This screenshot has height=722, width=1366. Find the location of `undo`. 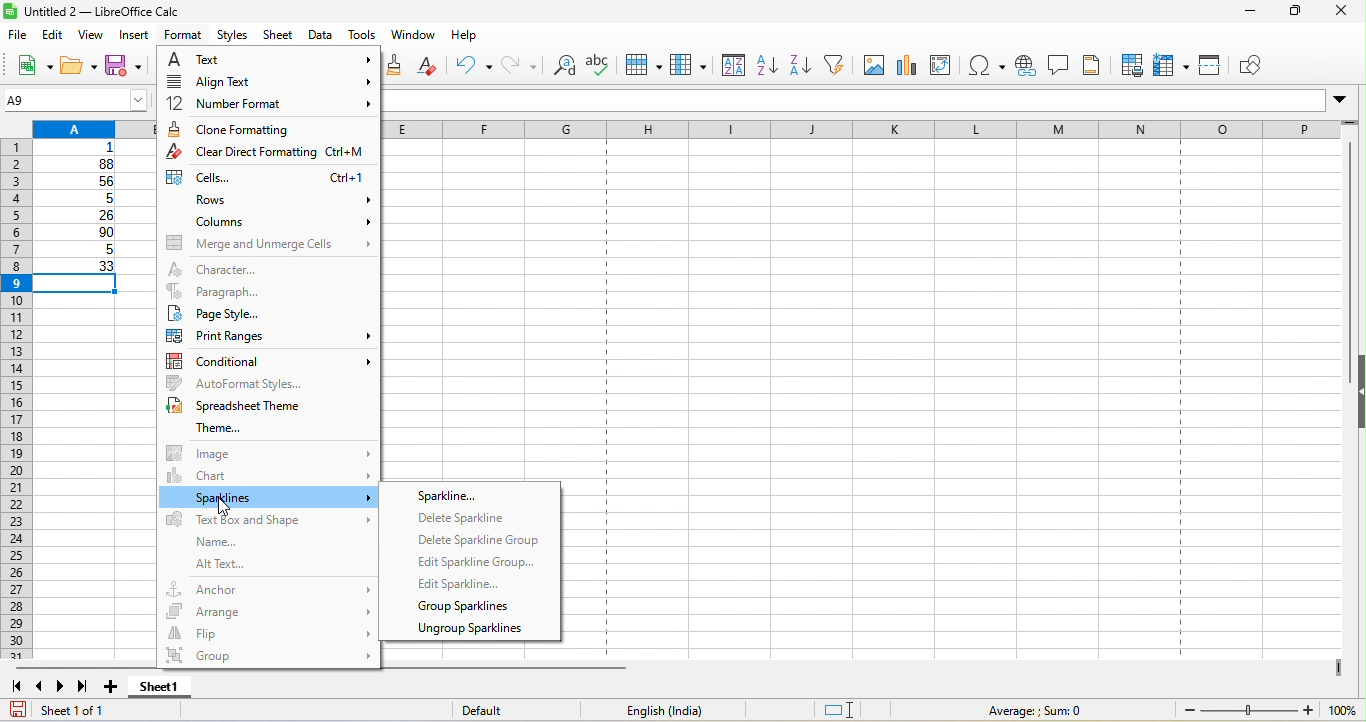

undo is located at coordinates (474, 65).